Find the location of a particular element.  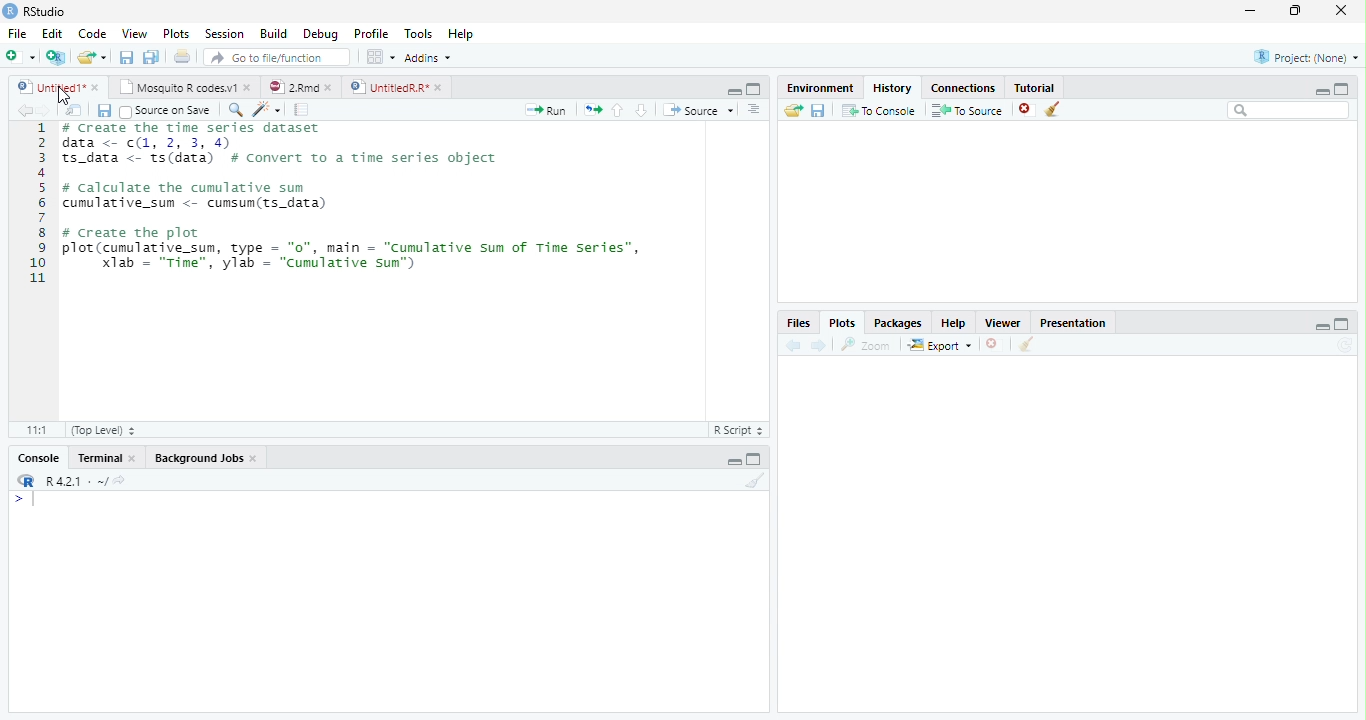

2.Rmd is located at coordinates (303, 88).